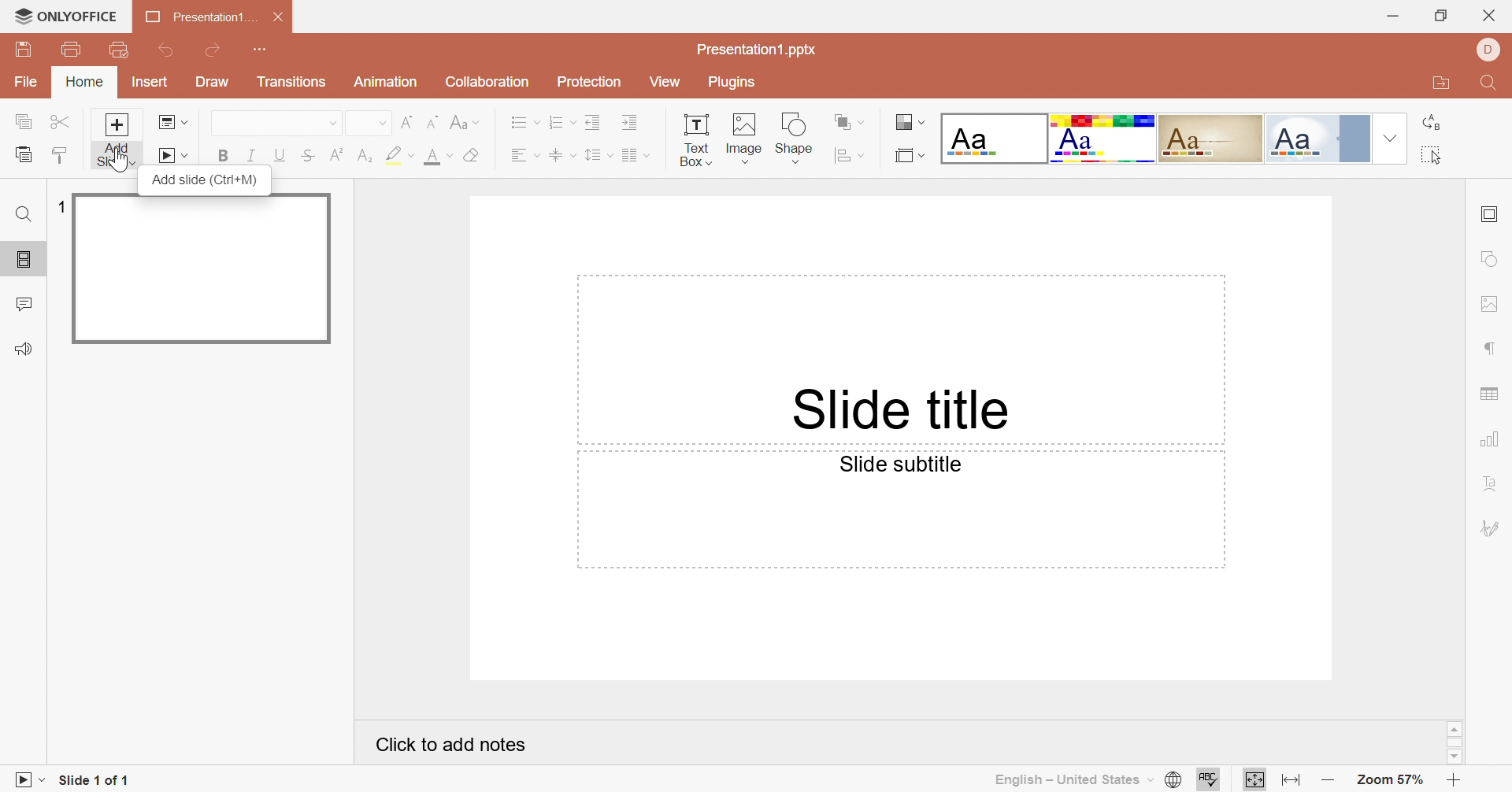 Image resolution: width=1512 pixels, height=792 pixels. What do you see at coordinates (1173, 778) in the screenshot?
I see `Set document language` at bounding box center [1173, 778].